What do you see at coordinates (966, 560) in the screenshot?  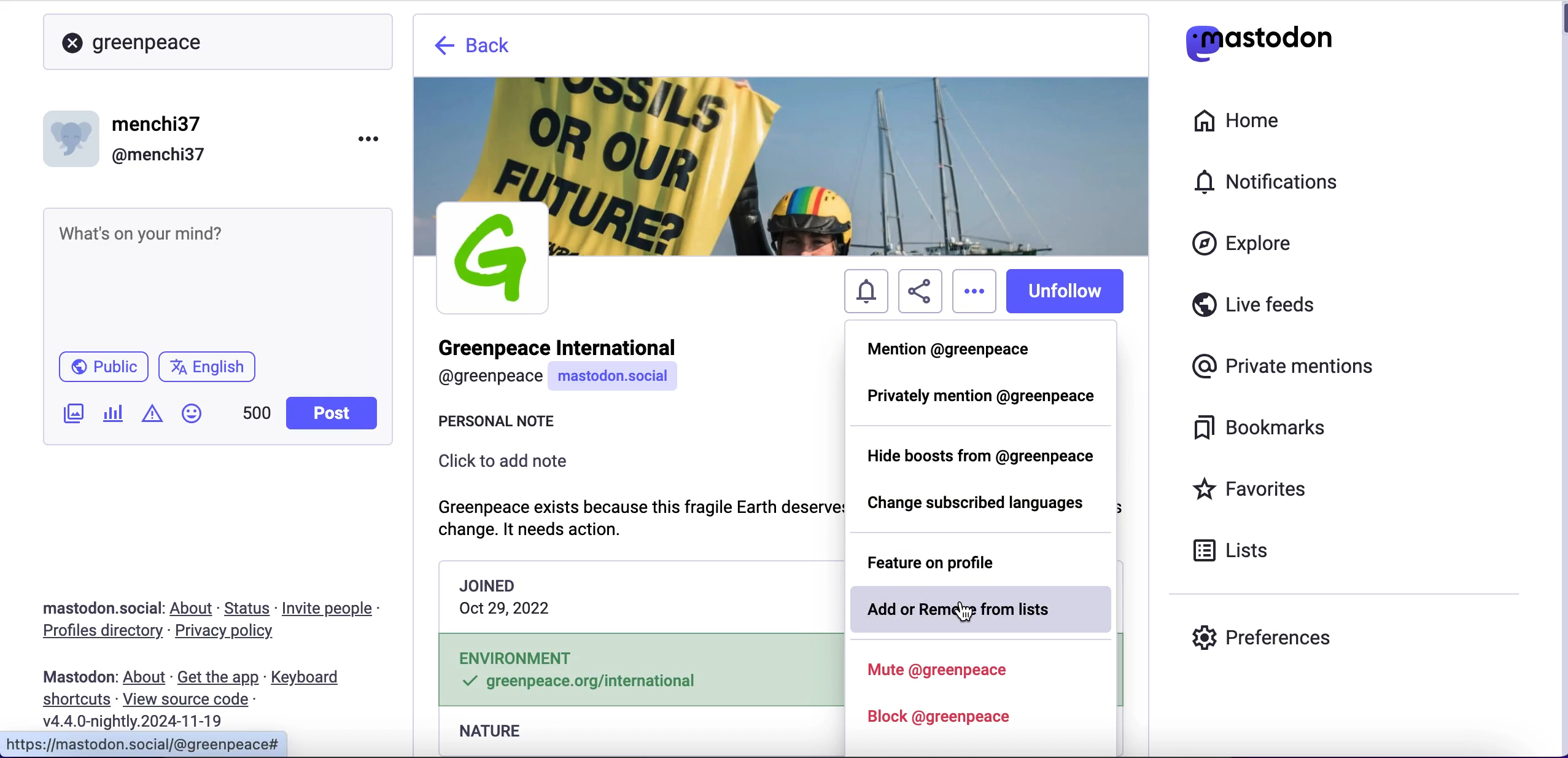 I see `feature on profile` at bounding box center [966, 560].